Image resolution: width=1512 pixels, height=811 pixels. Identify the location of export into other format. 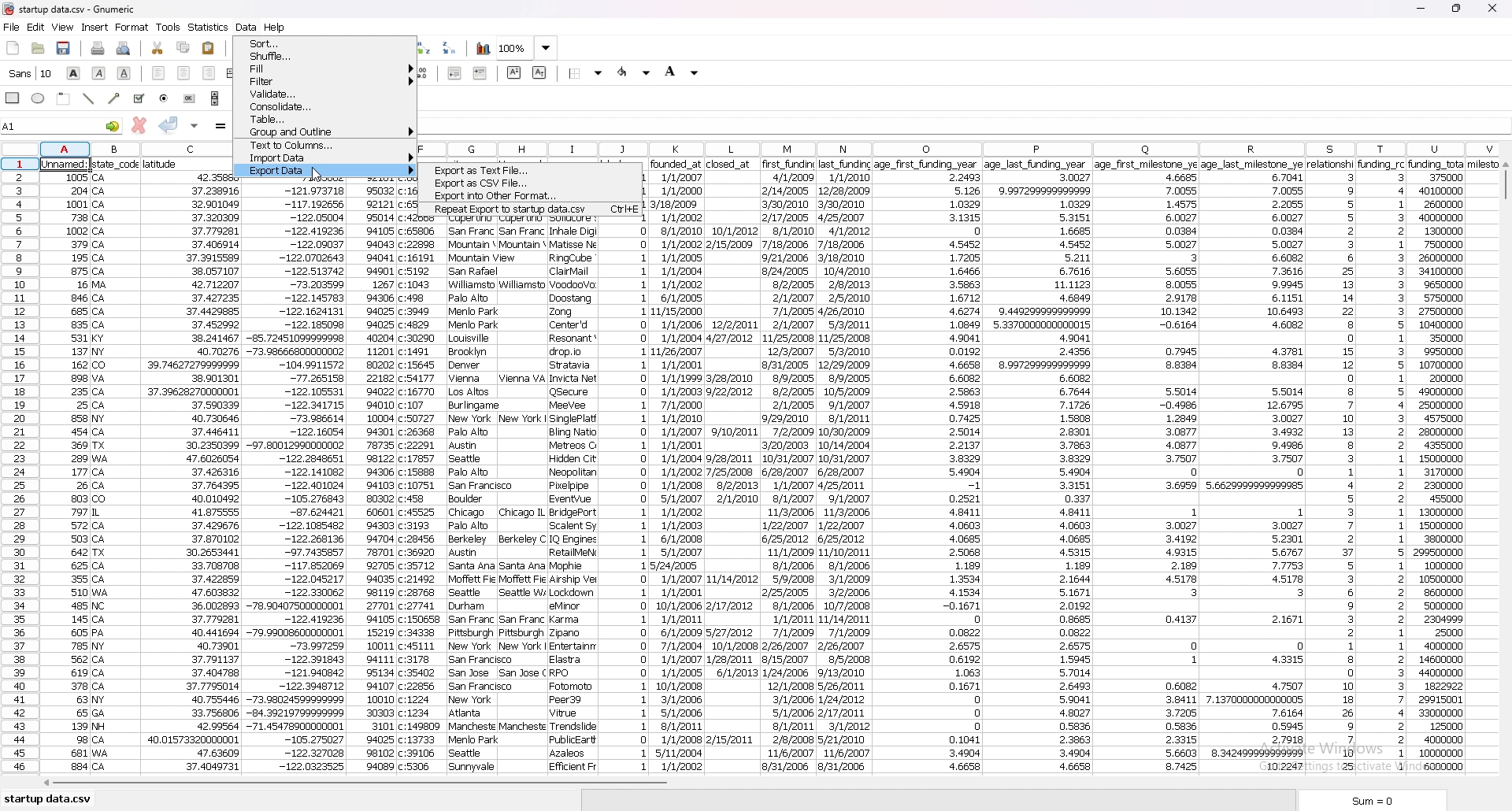
(530, 196).